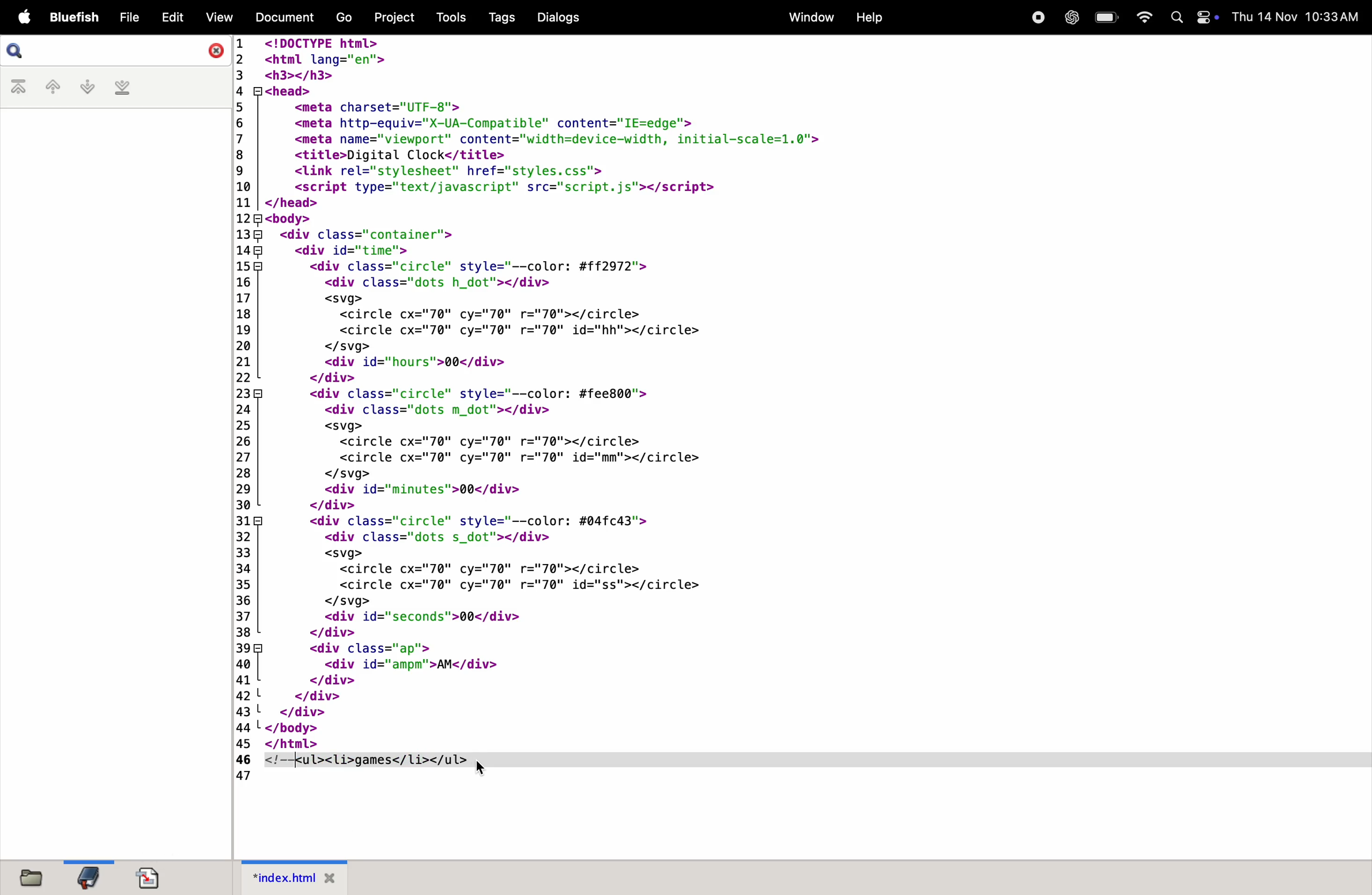 This screenshot has height=895, width=1372. What do you see at coordinates (808, 18) in the screenshot?
I see `window` at bounding box center [808, 18].